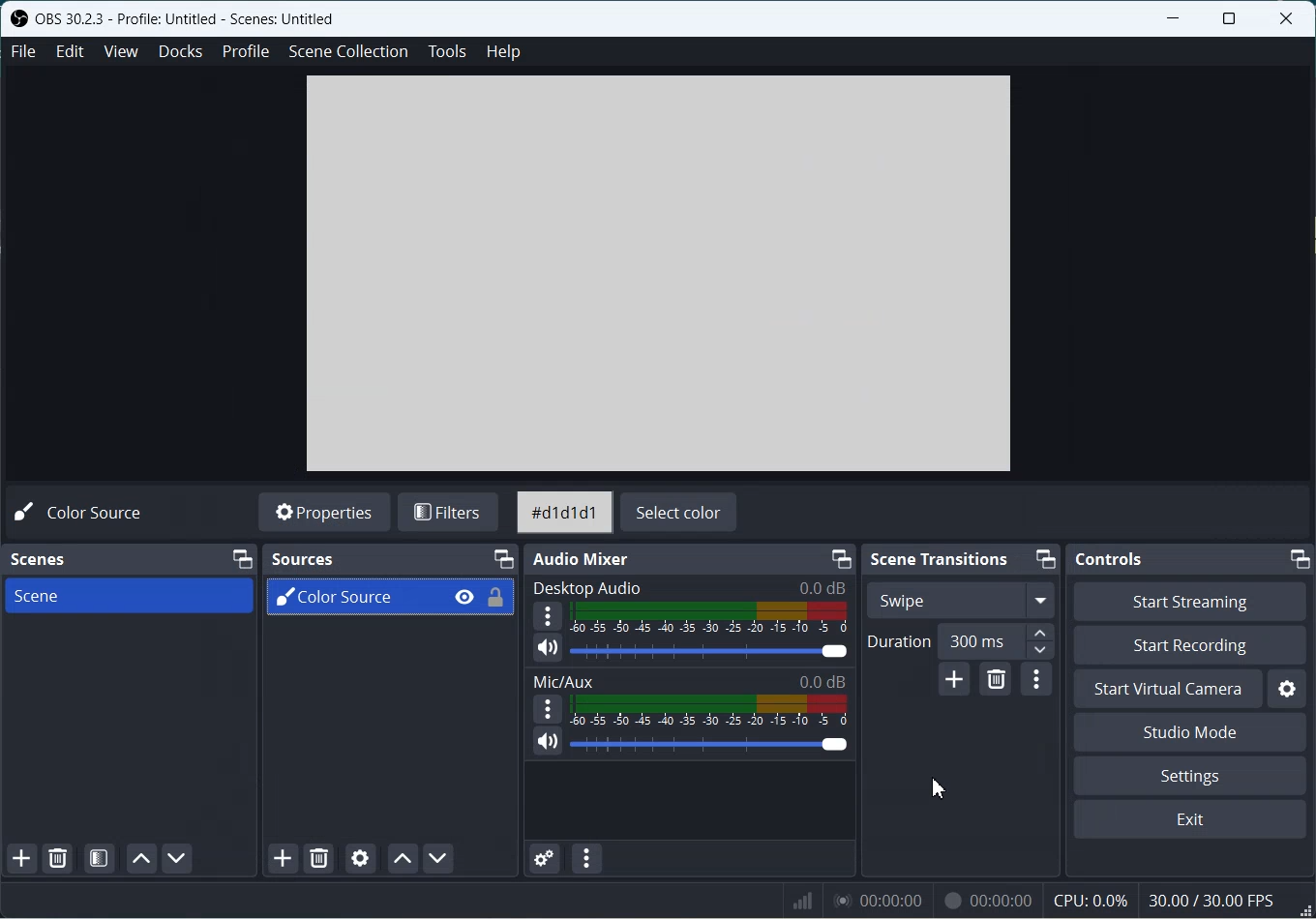 The width and height of the screenshot is (1316, 919). I want to click on Desktop Audio 0.0 dB, so click(687, 588).